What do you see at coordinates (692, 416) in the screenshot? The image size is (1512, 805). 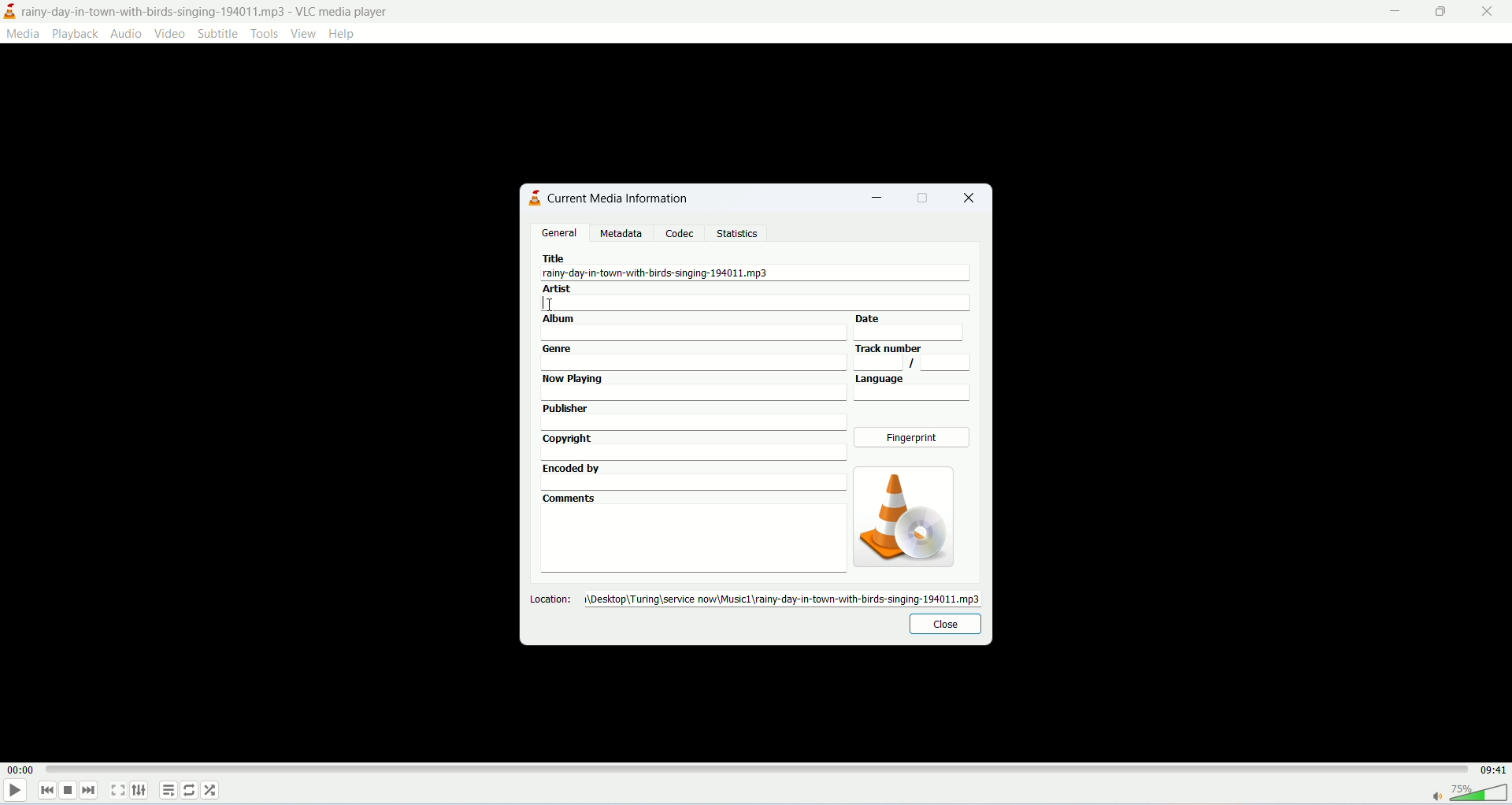 I see `publisher` at bounding box center [692, 416].